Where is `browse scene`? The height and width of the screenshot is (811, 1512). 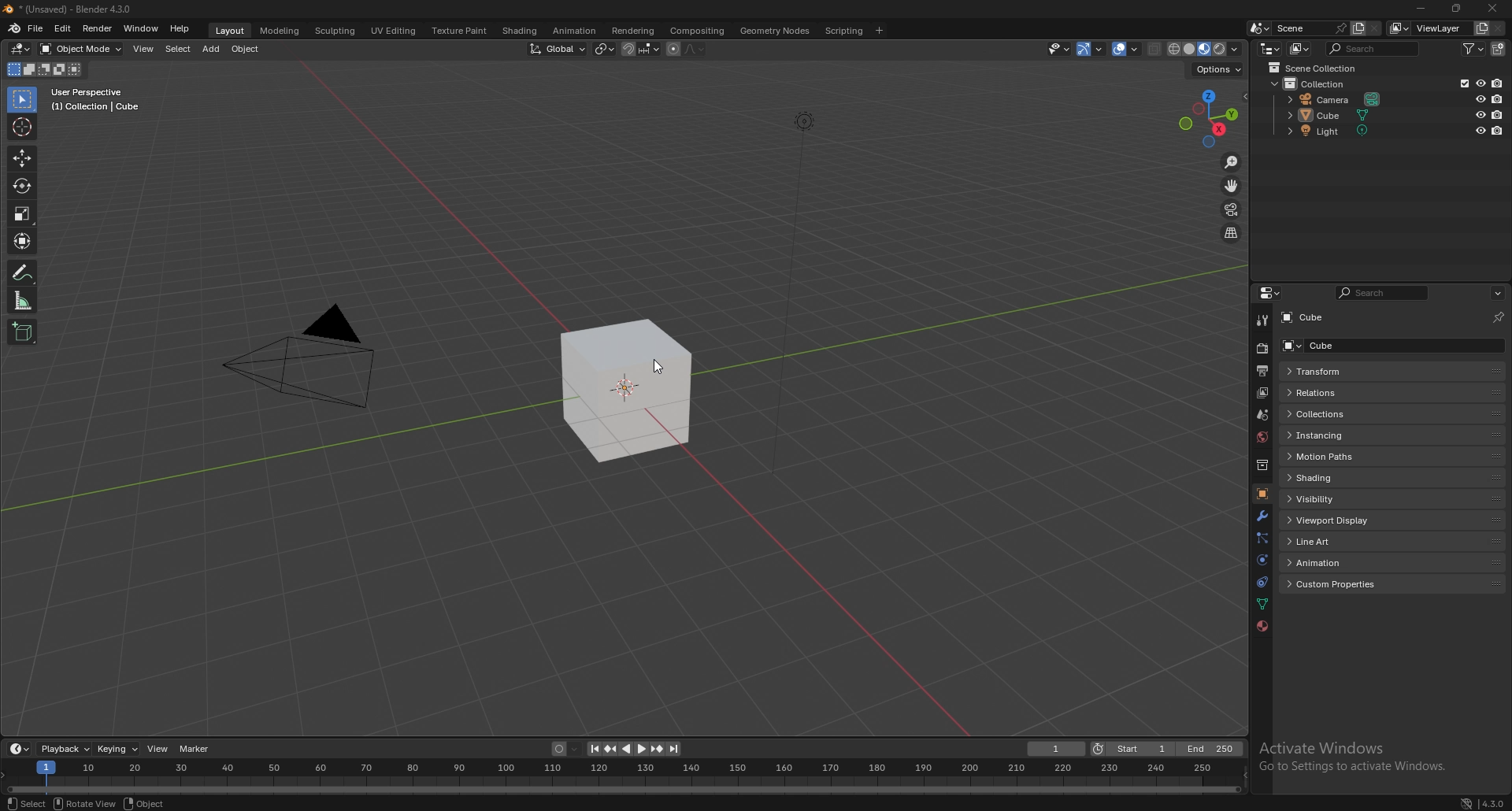 browse scene is located at coordinates (1260, 28).